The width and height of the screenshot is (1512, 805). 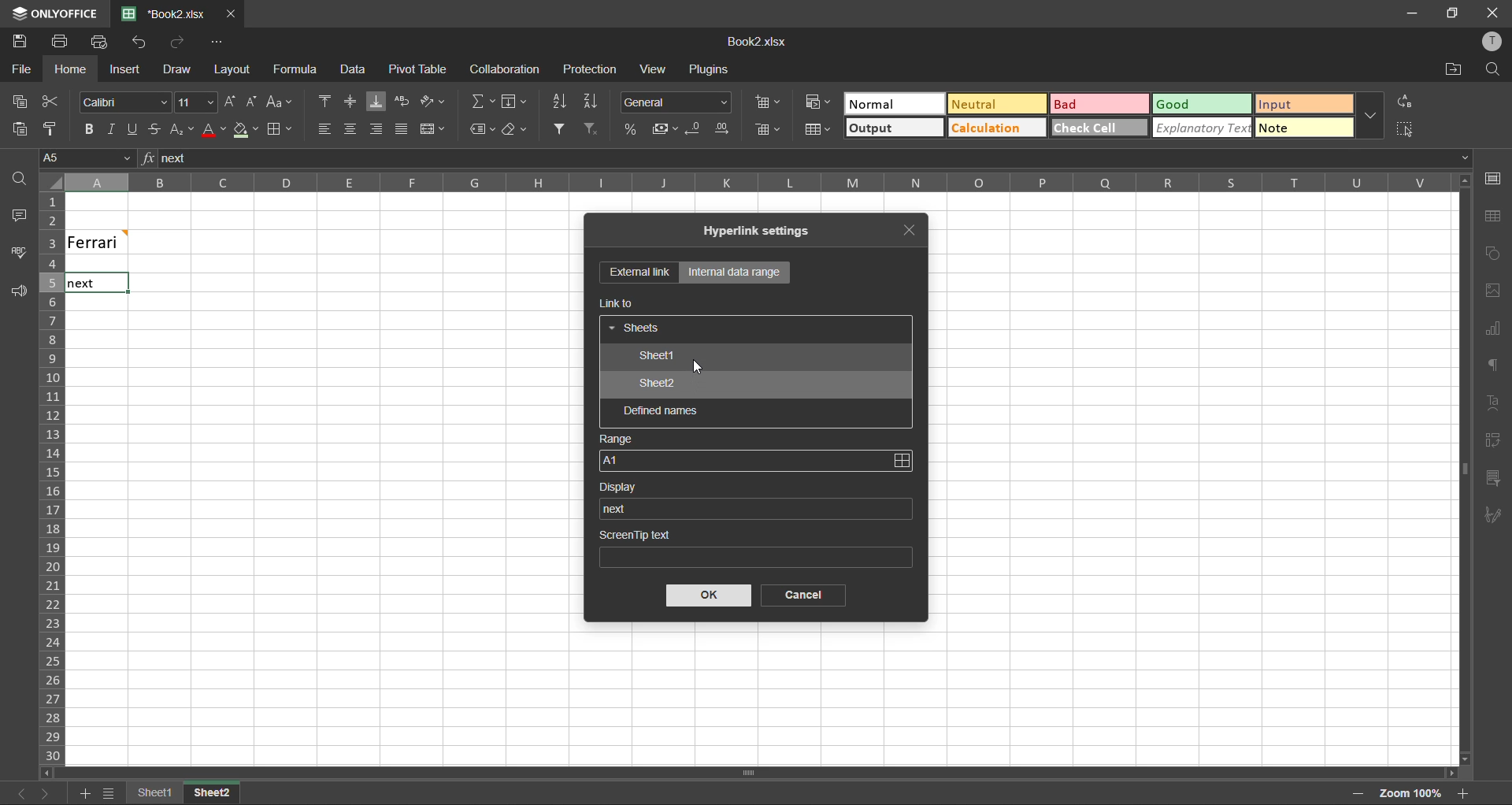 I want to click on wrap text, so click(x=402, y=101).